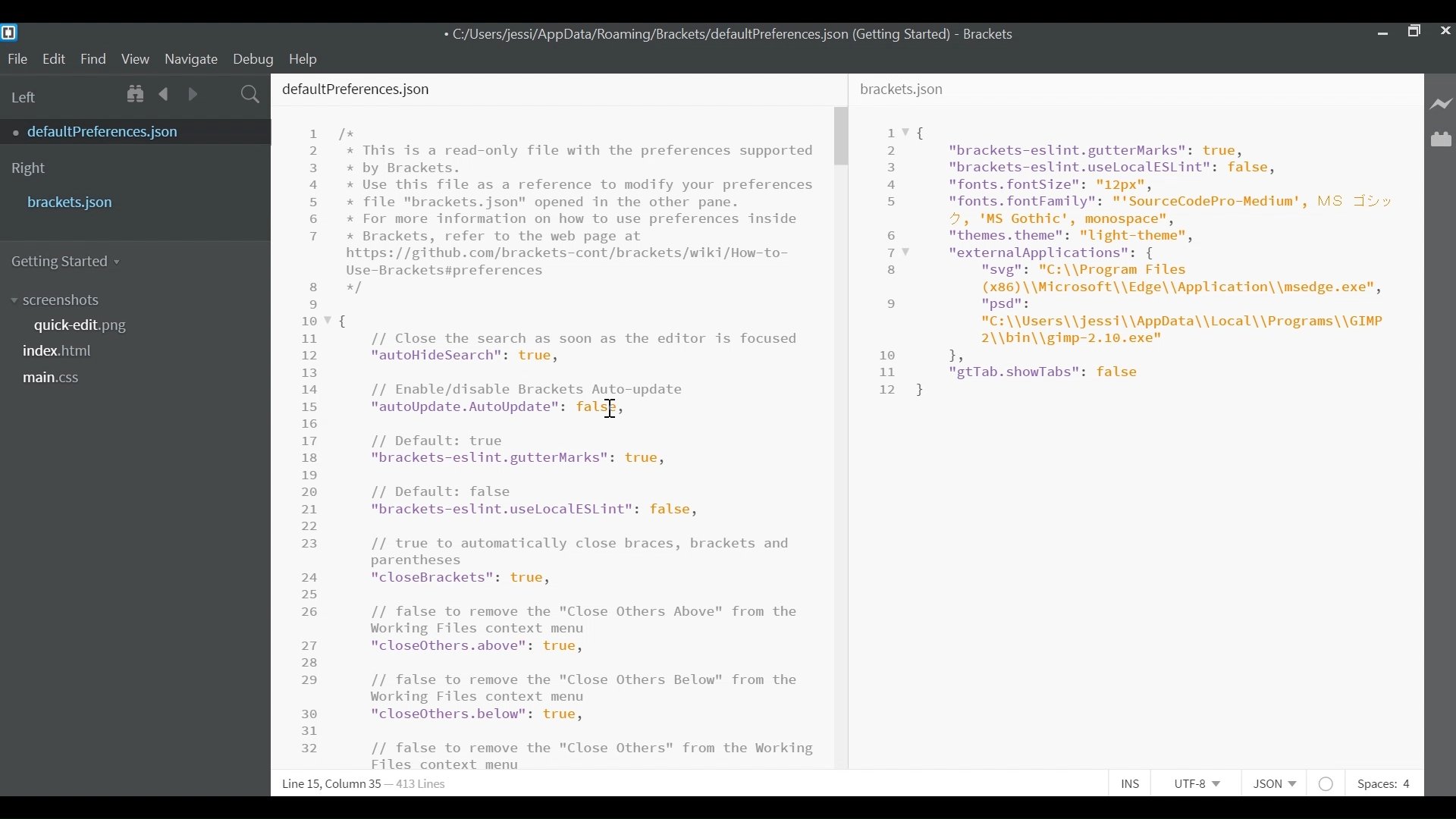 This screenshot has height=819, width=1456. What do you see at coordinates (610, 409) in the screenshot?
I see `cursor` at bounding box center [610, 409].